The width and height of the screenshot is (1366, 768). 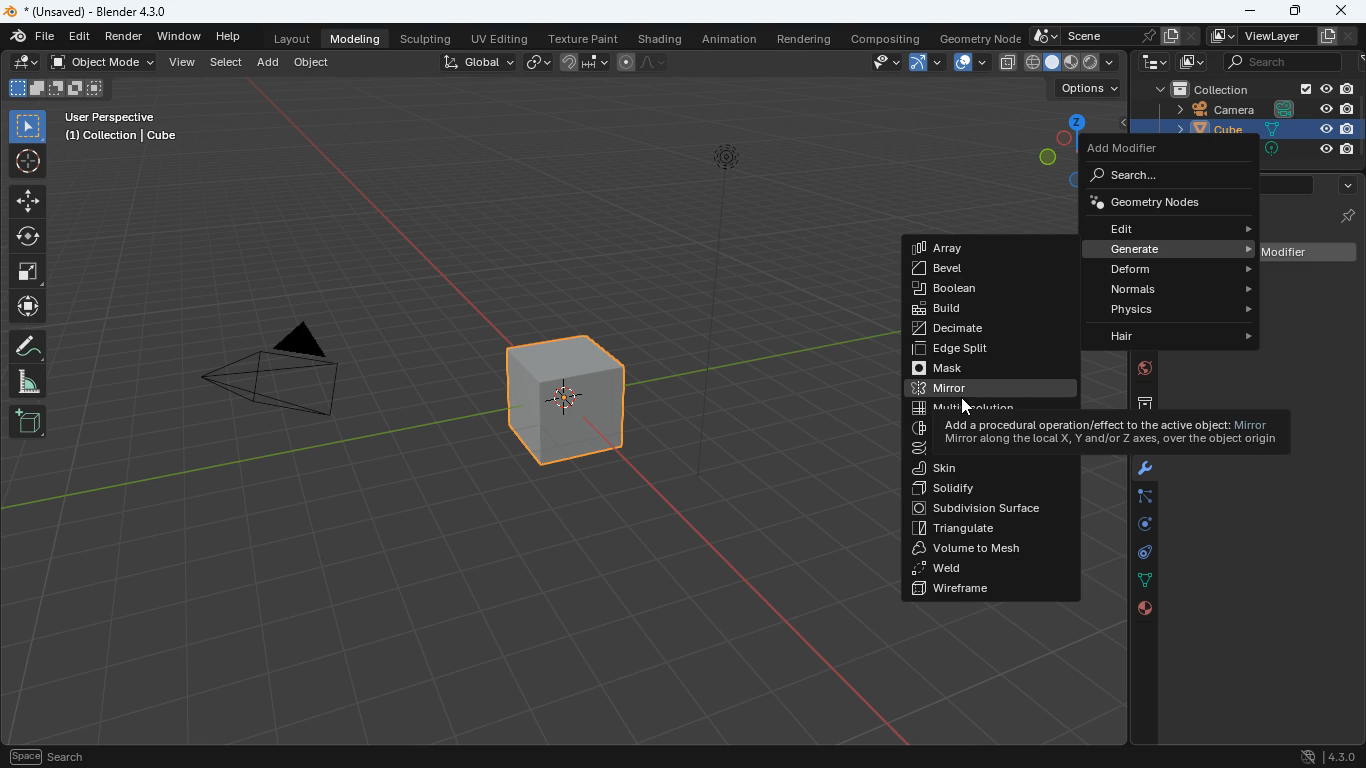 What do you see at coordinates (967, 408) in the screenshot?
I see `` at bounding box center [967, 408].